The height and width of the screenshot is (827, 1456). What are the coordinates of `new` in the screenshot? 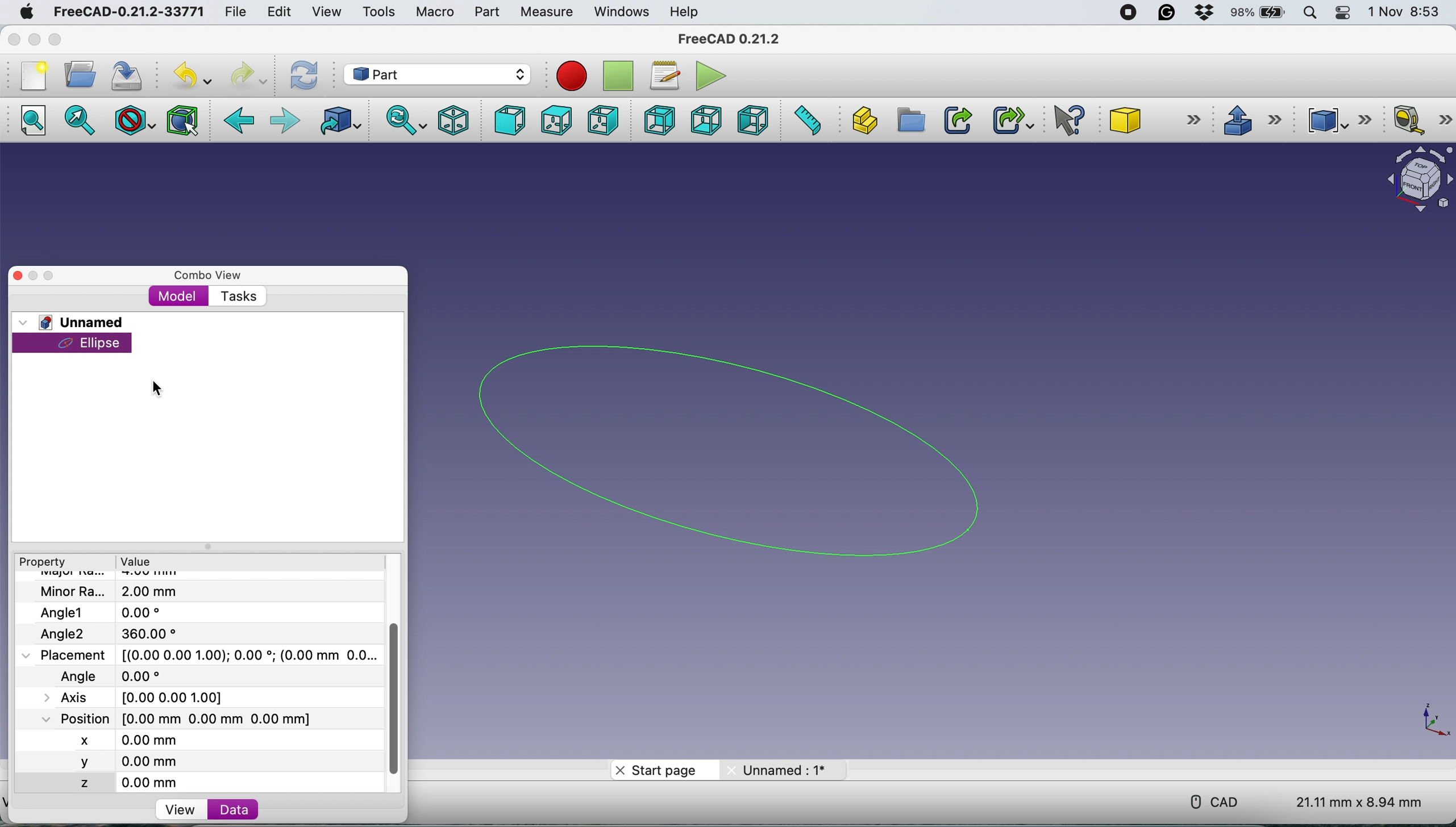 It's located at (34, 76).